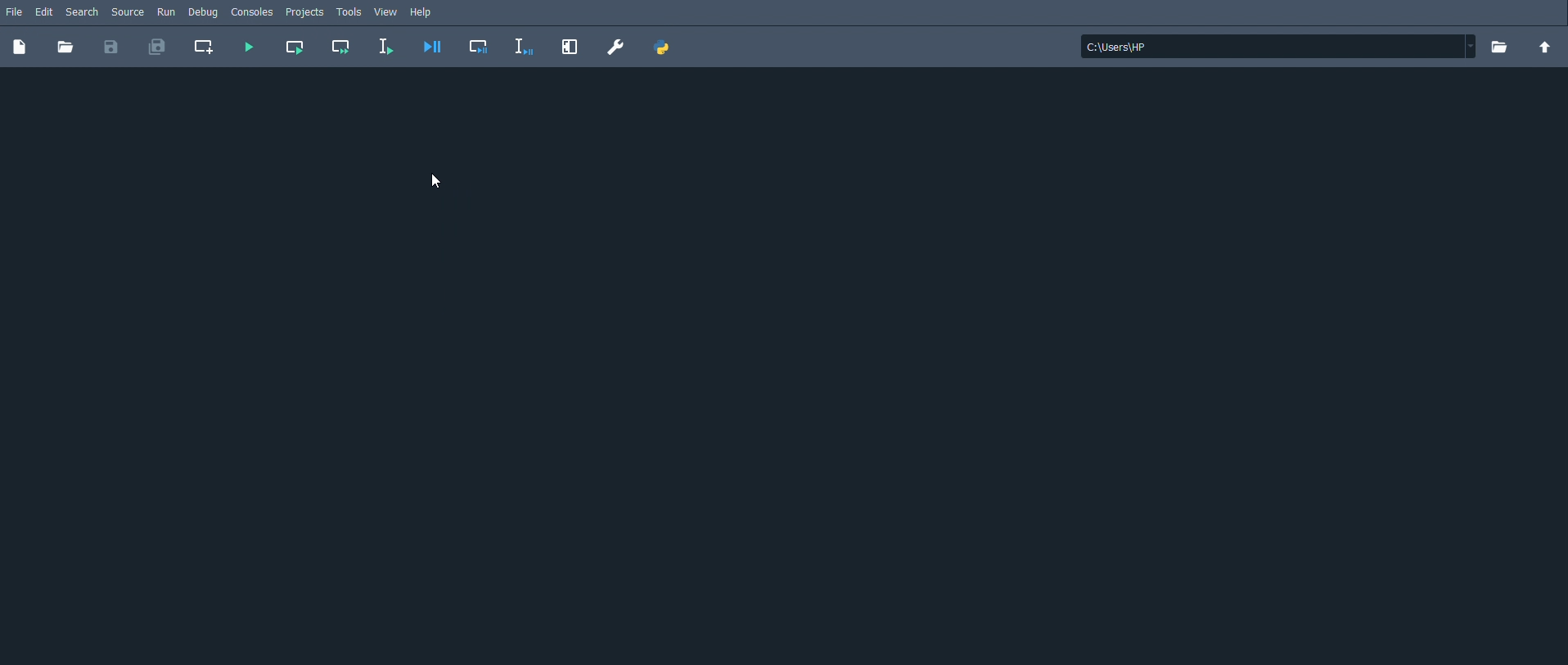  What do you see at coordinates (340, 45) in the screenshot?
I see `Run current cell and go to the next one` at bounding box center [340, 45].